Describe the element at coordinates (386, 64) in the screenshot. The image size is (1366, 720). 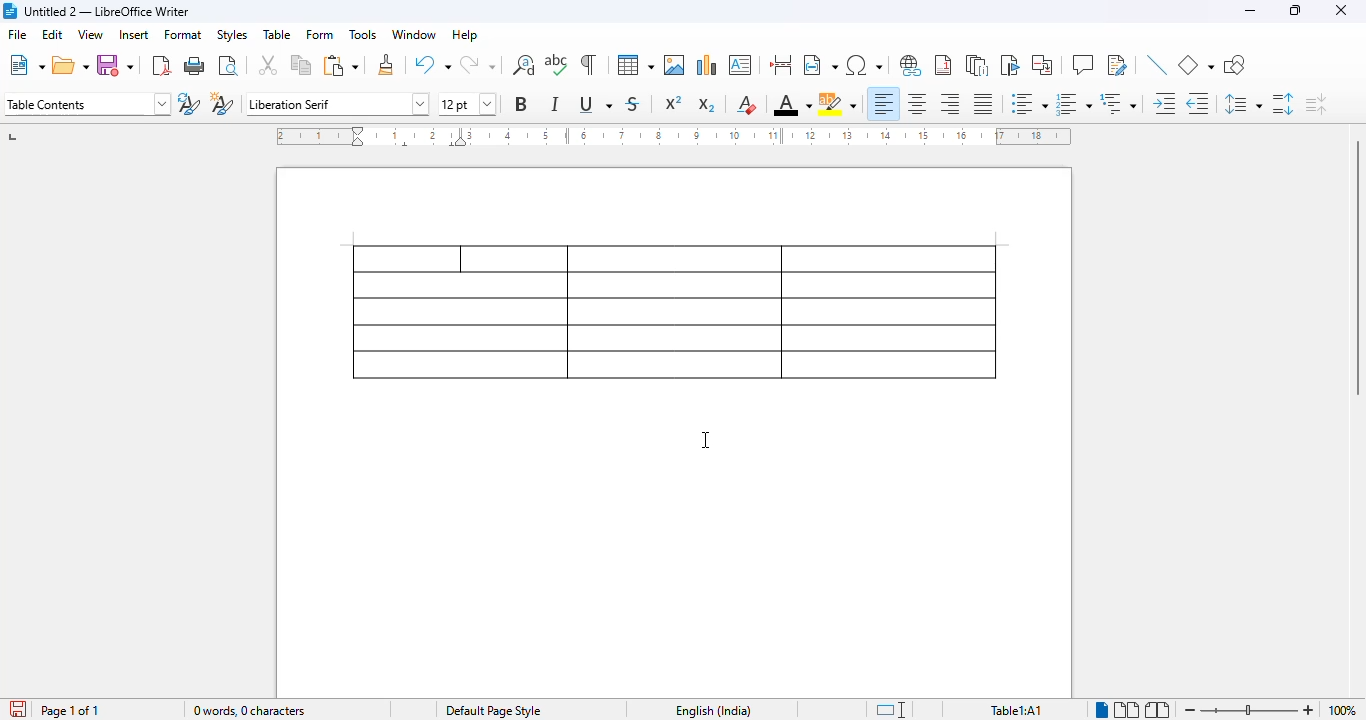
I see `clone formatting` at that location.